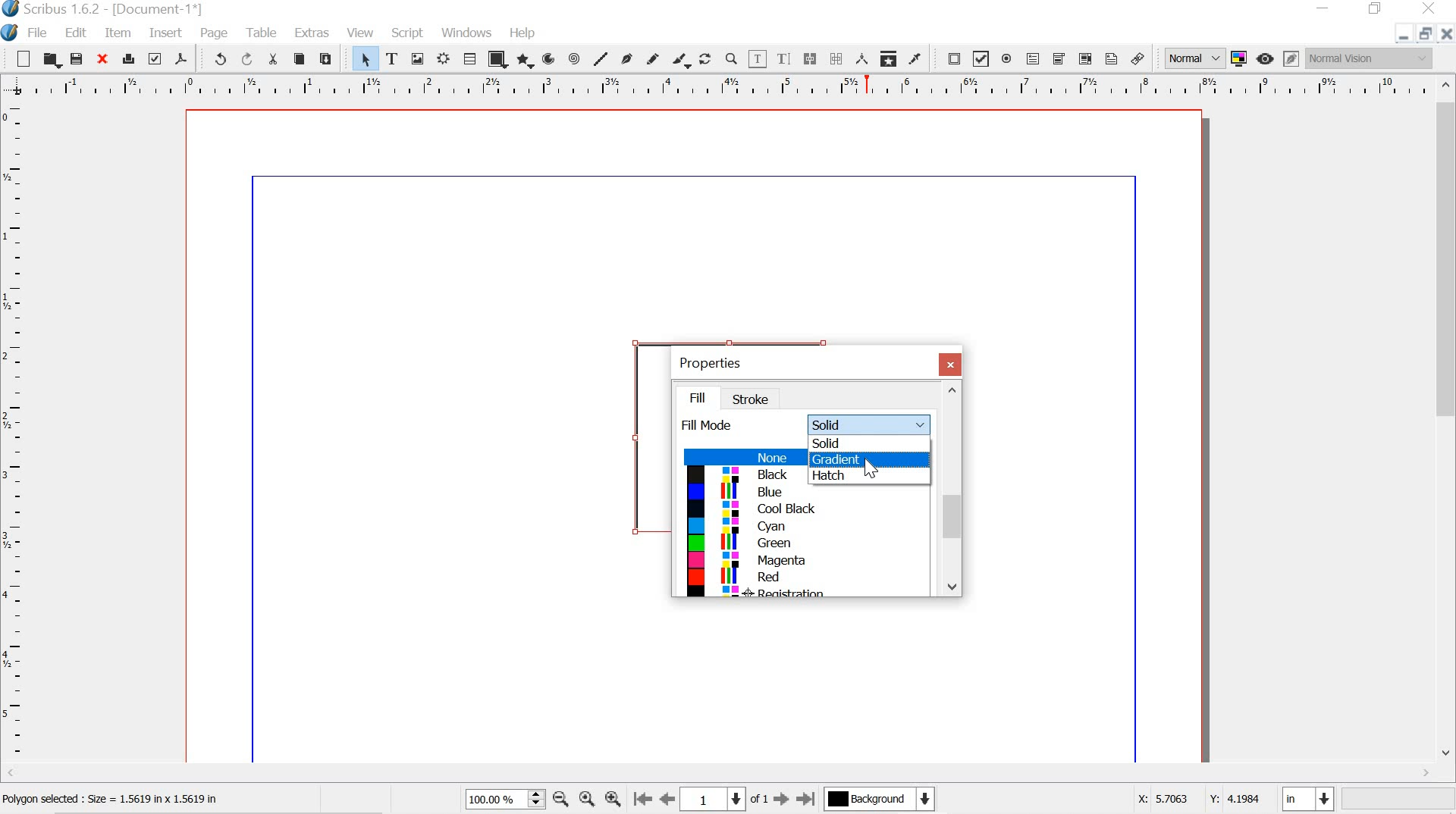 The image size is (1456, 814). What do you see at coordinates (575, 58) in the screenshot?
I see `spiral` at bounding box center [575, 58].